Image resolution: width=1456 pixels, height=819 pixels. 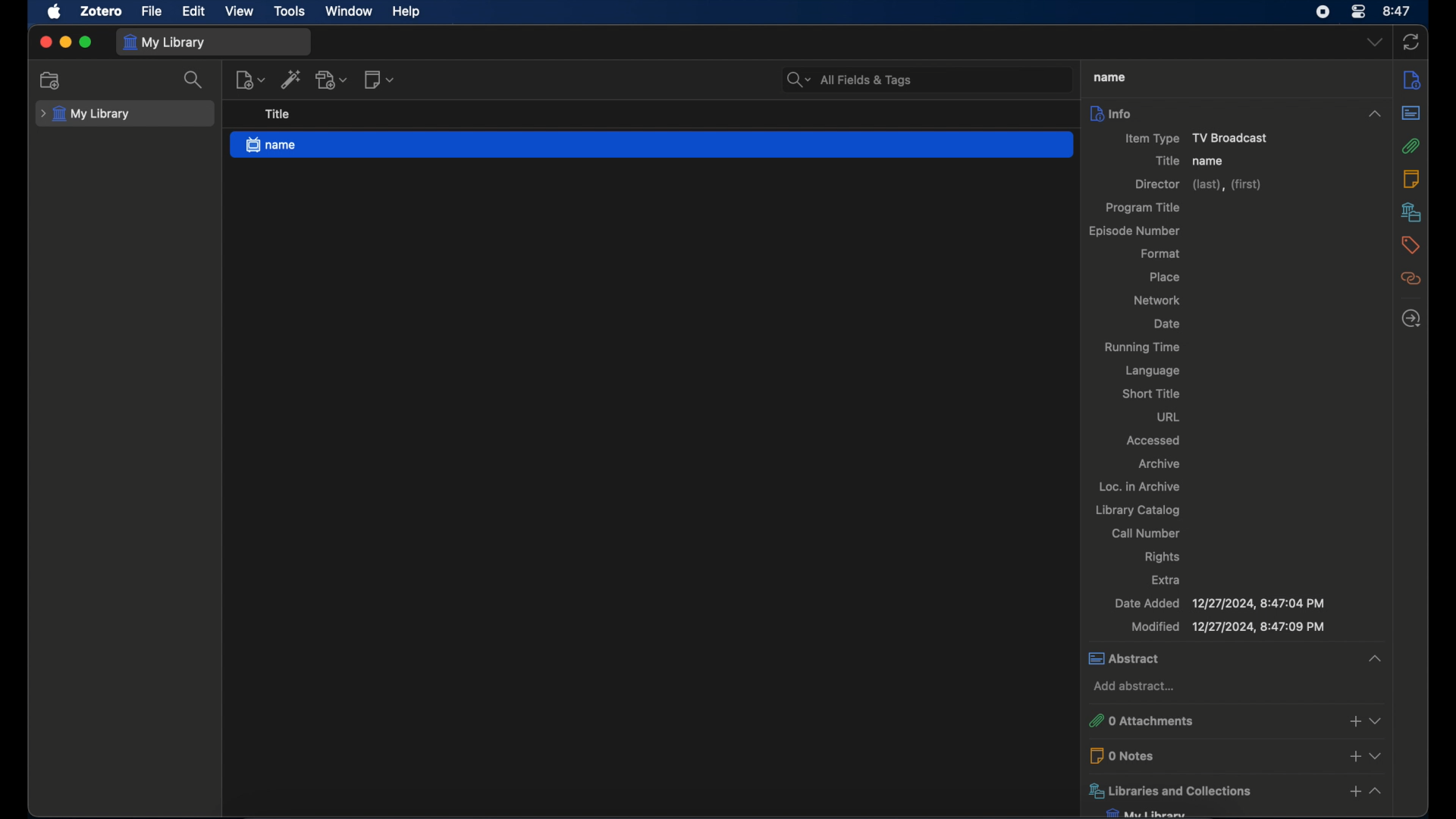 I want to click on window, so click(x=350, y=11).